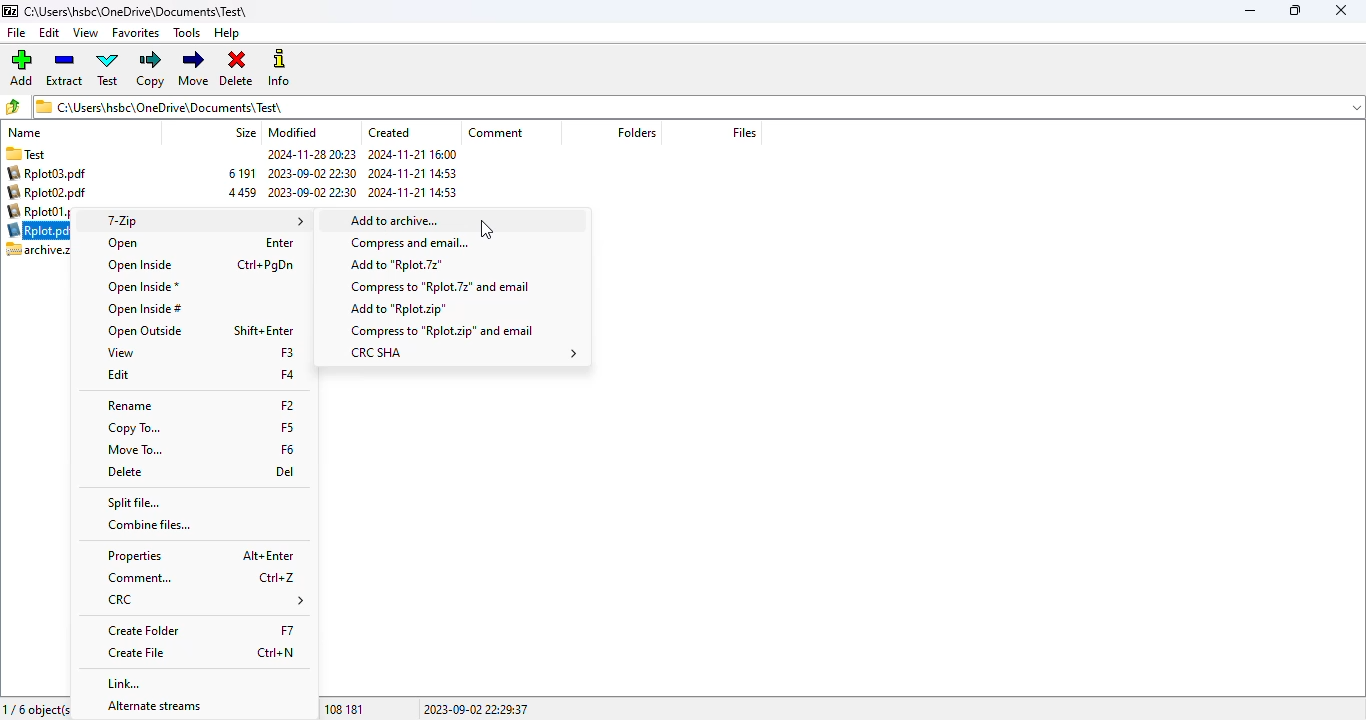 This screenshot has width=1366, height=720. What do you see at coordinates (398, 264) in the screenshot?
I see `add to .7z file` at bounding box center [398, 264].